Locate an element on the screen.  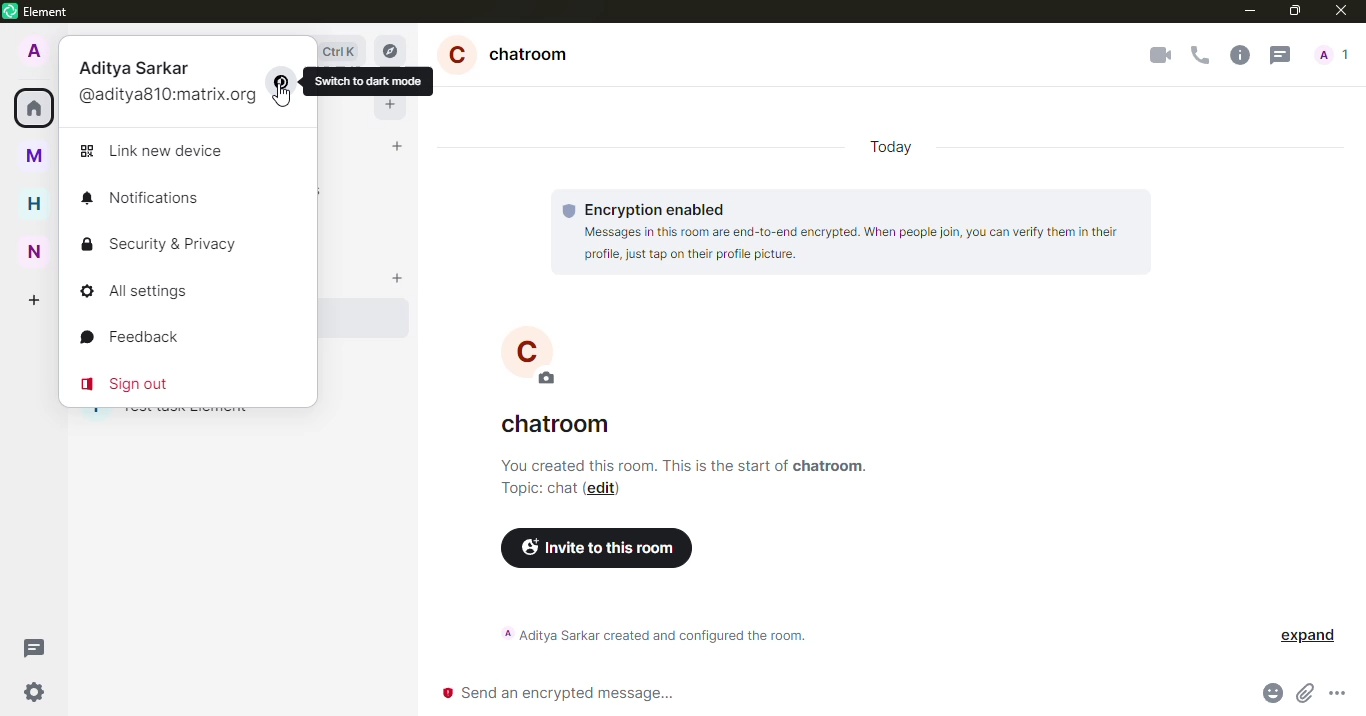
expand is located at coordinates (1311, 637).